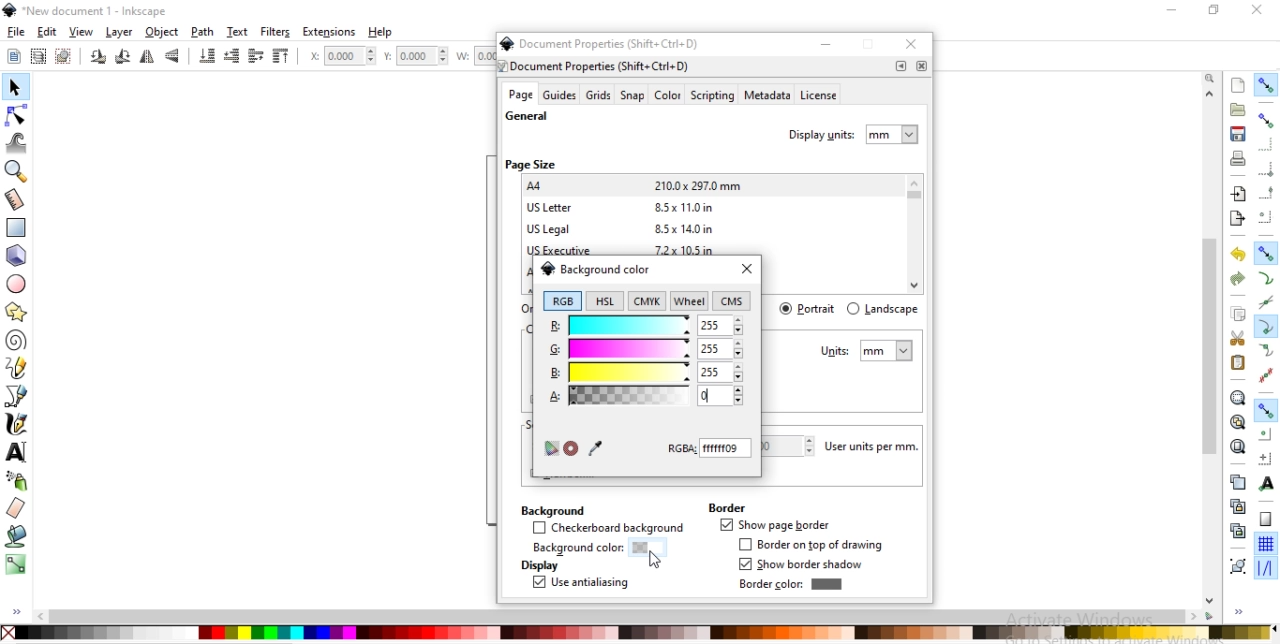 This screenshot has width=1280, height=644. Describe the element at coordinates (656, 562) in the screenshot. I see `cursor` at that location.